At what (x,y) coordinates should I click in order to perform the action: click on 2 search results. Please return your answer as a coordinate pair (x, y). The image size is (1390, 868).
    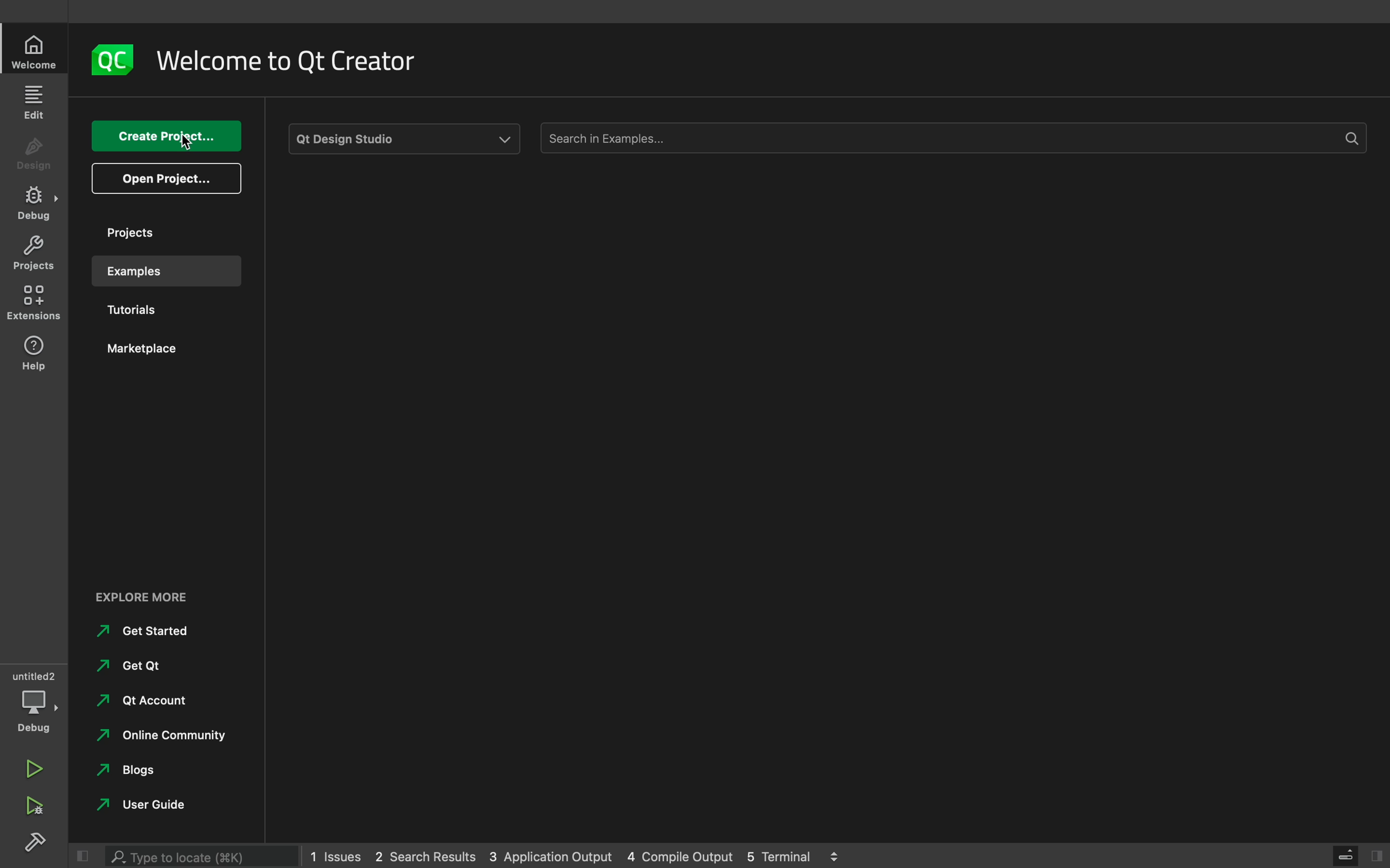
    Looking at the image, I should click on (428, 857).